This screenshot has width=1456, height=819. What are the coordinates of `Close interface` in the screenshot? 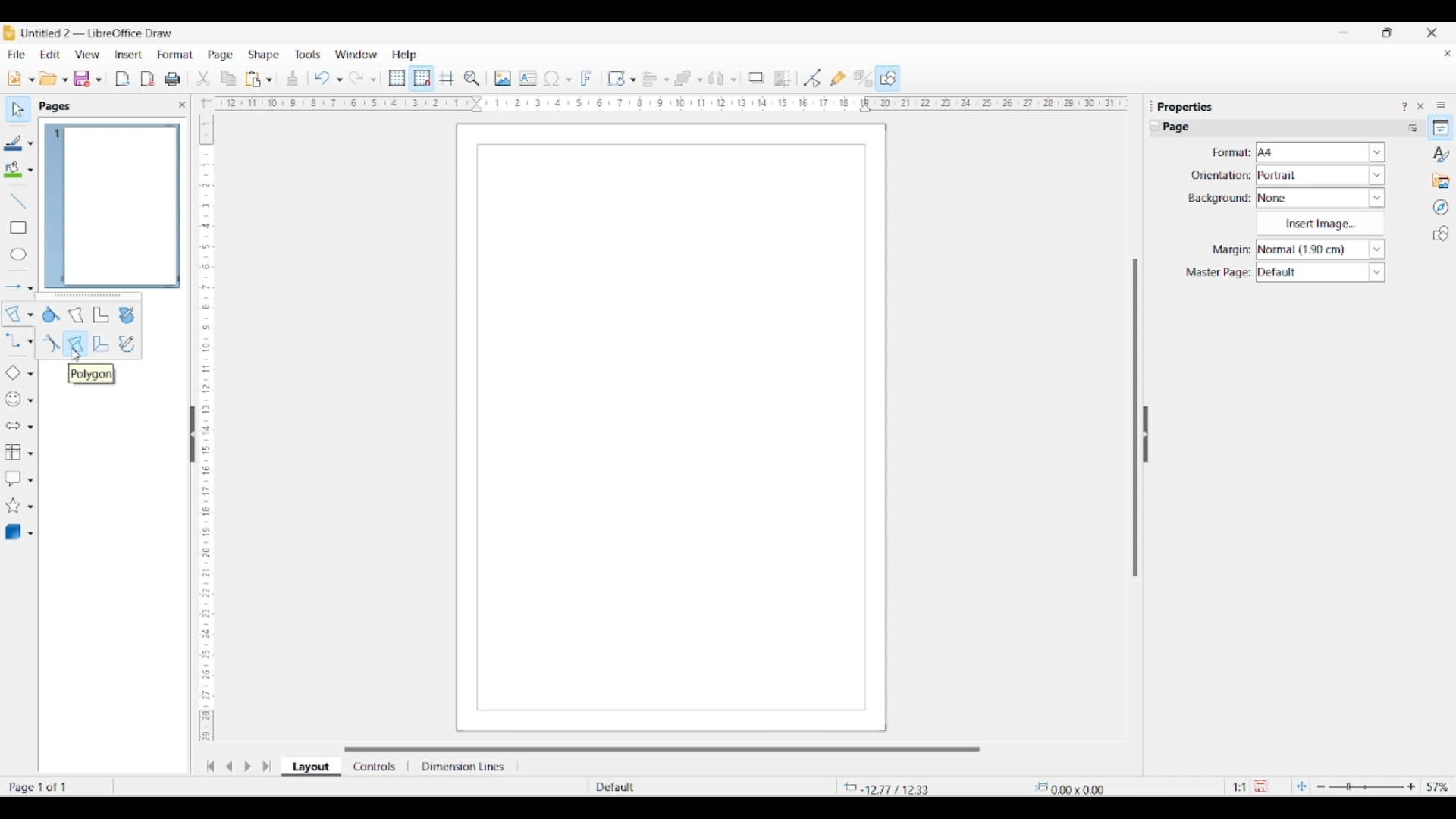 It's located at (1432, 33).